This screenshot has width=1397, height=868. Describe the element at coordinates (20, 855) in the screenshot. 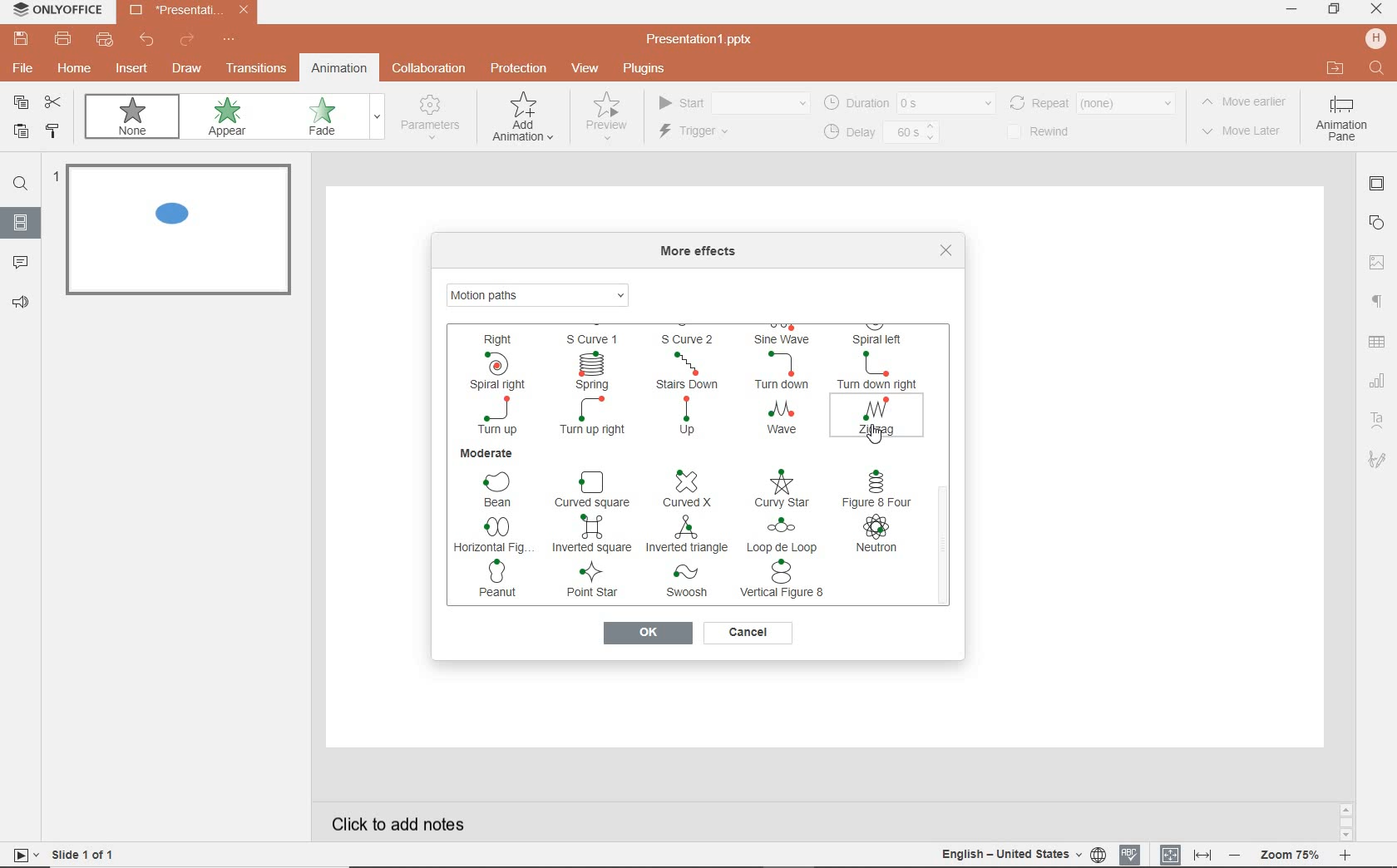

I see `start slide show` at that location.